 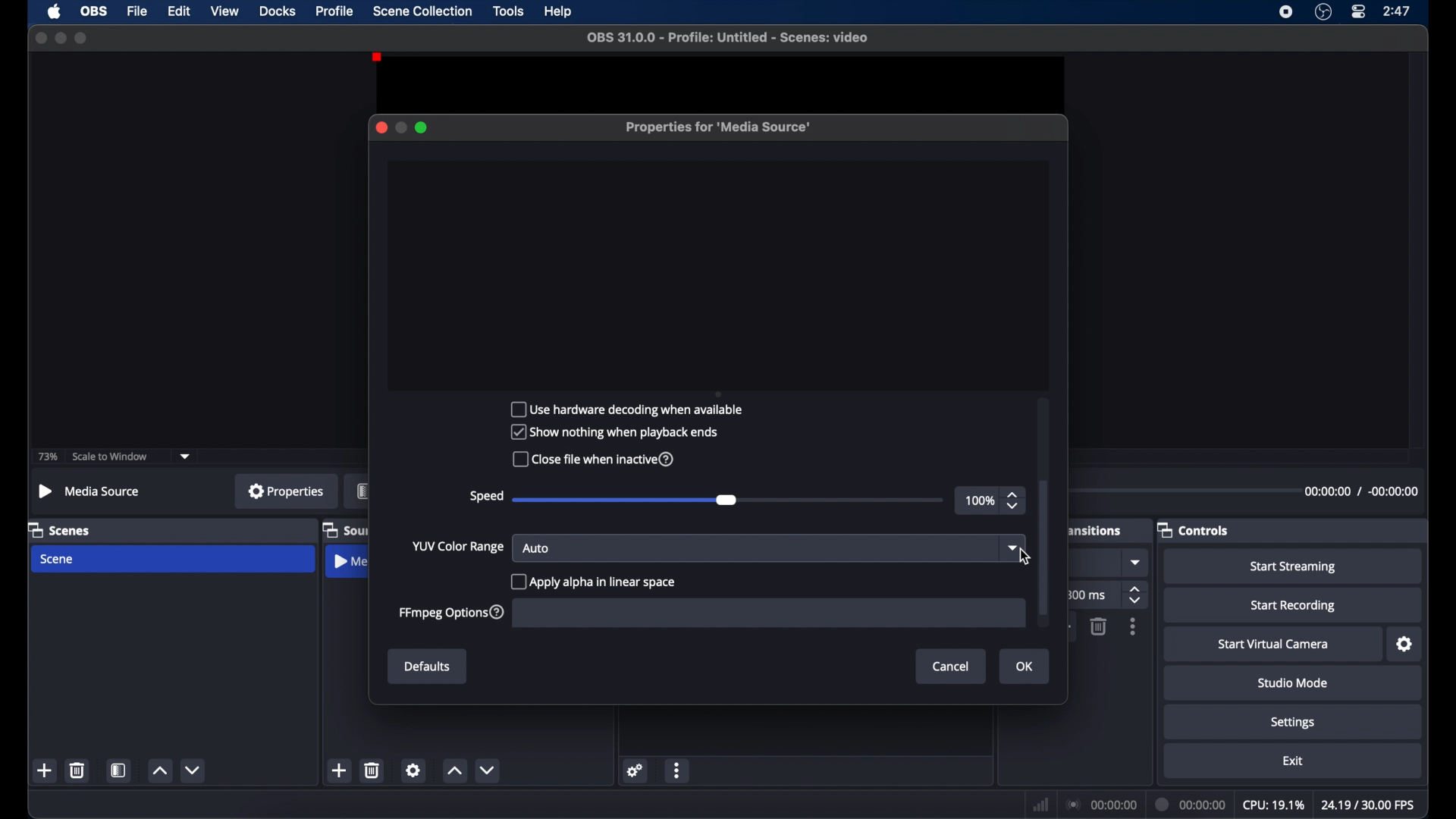 I want to click on docks, so click(x=278, y=11).